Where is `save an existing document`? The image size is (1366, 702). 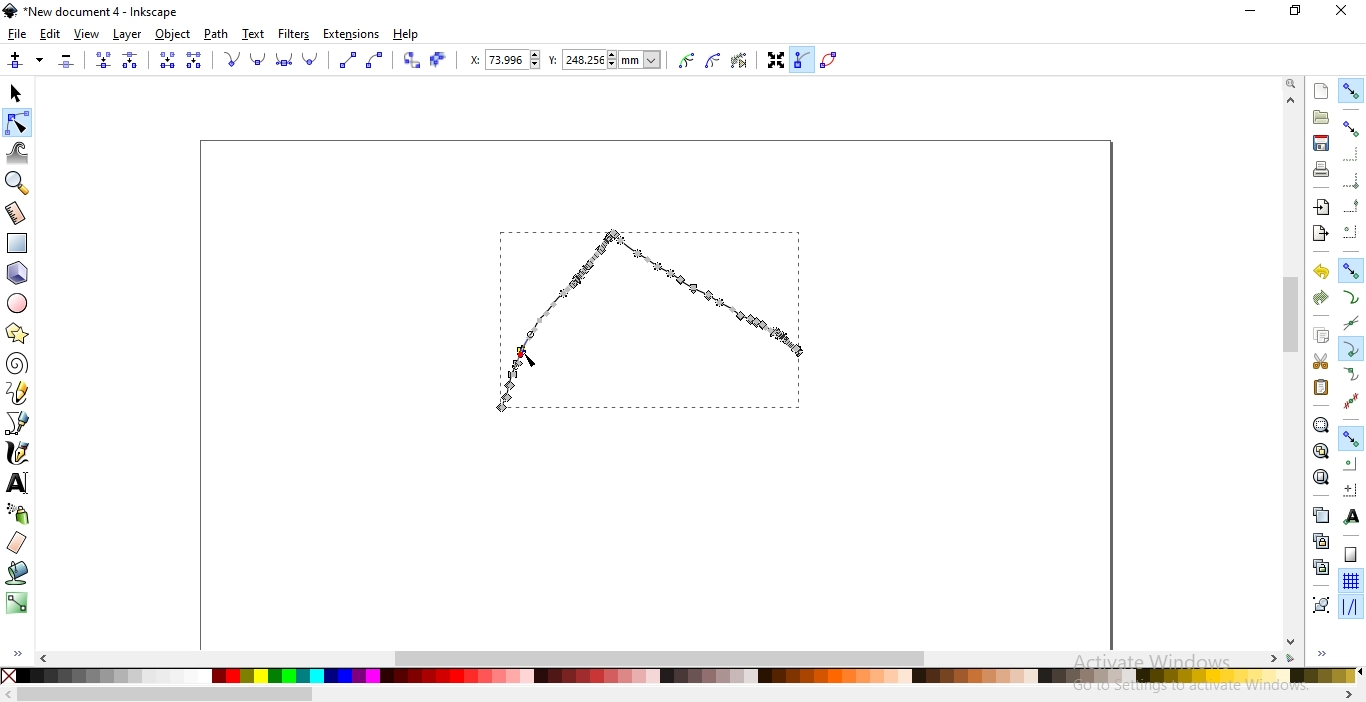 save an existing document is located at coordinates (1321, 142).